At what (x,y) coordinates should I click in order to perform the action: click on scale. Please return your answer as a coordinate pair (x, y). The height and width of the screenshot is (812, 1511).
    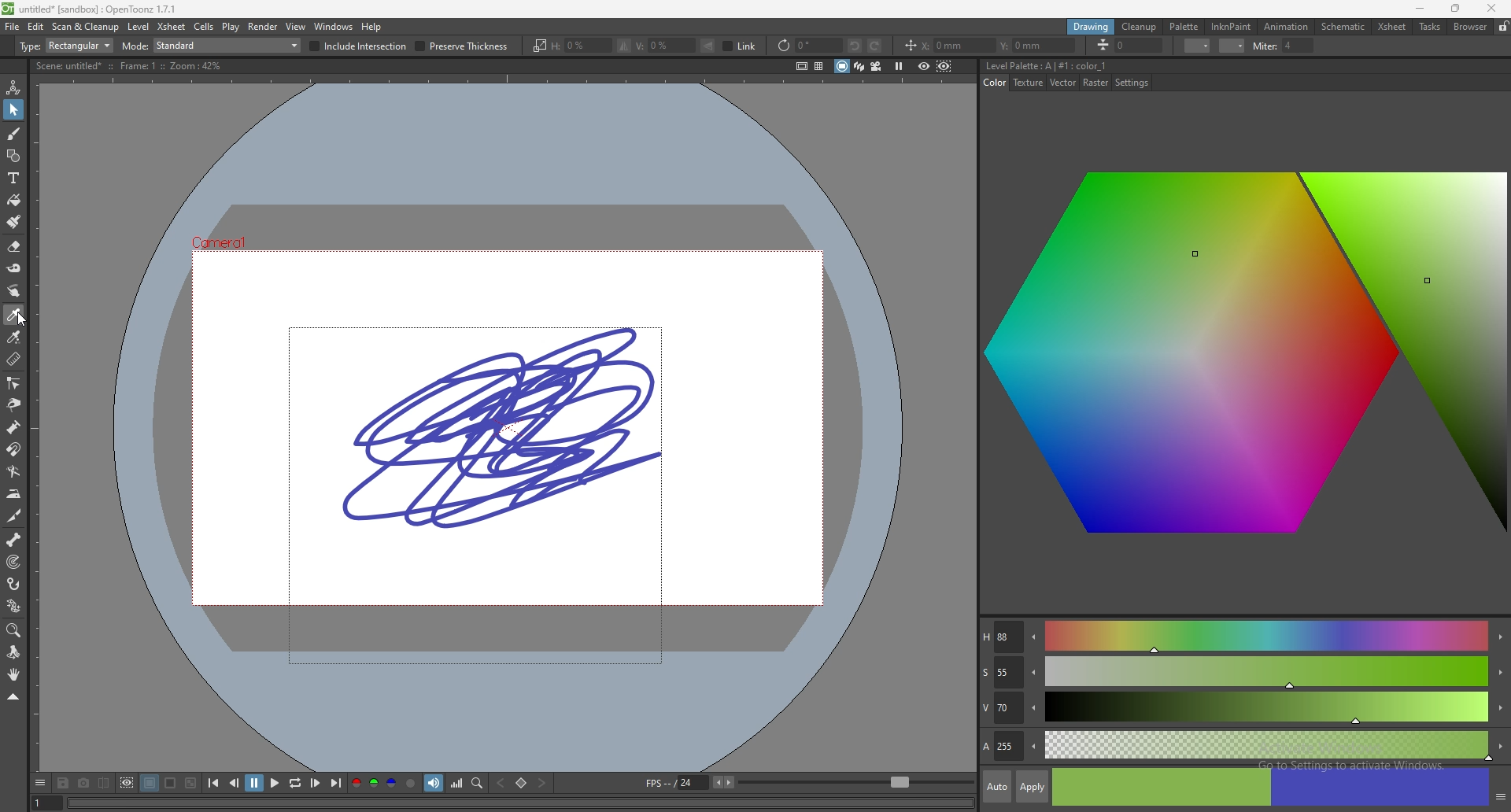
    Looking at the image, I should click on (538, 46).